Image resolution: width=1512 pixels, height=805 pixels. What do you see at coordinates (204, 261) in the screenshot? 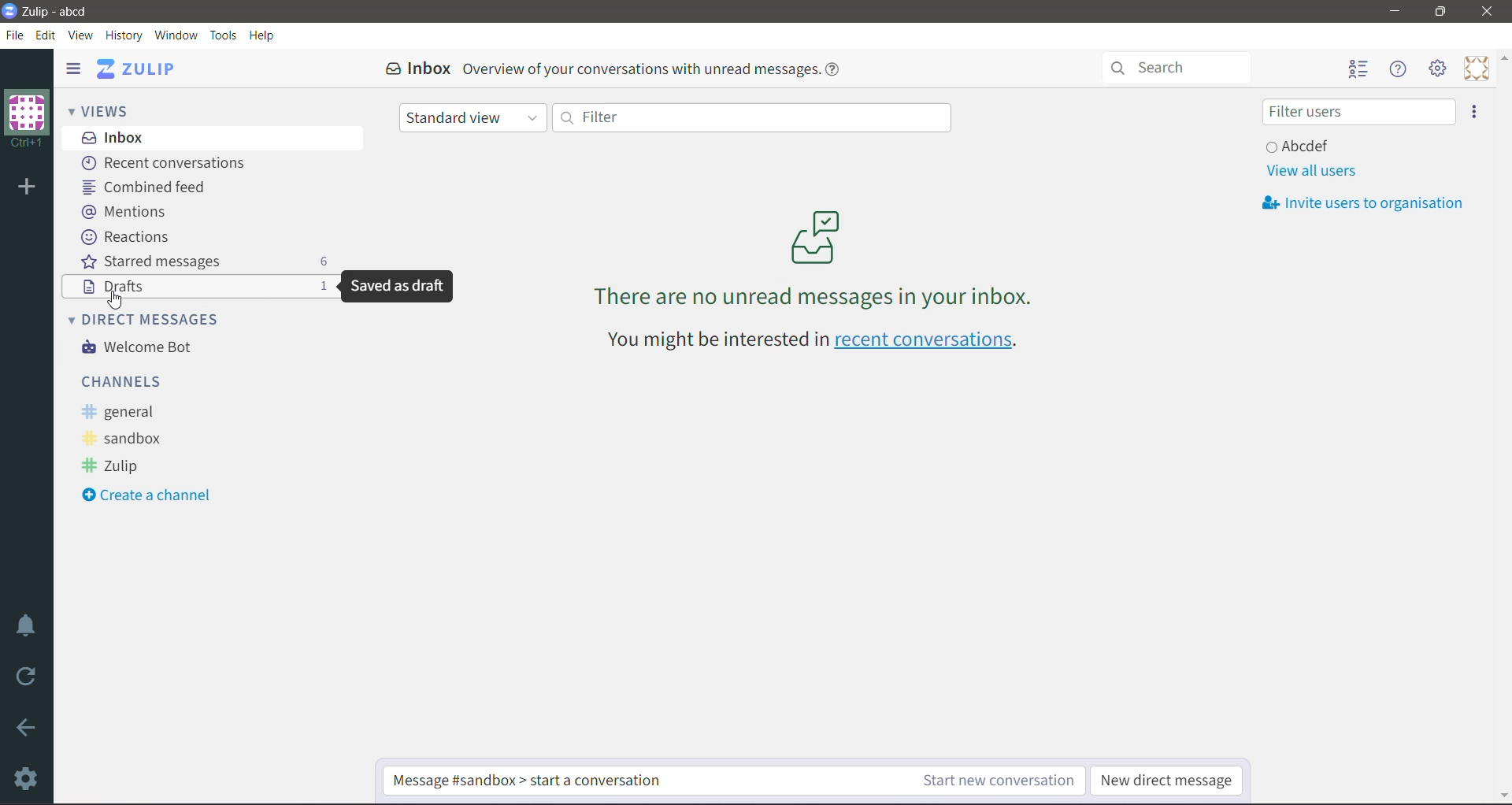
I see `Starred messages` at bounding box center [204, 261].